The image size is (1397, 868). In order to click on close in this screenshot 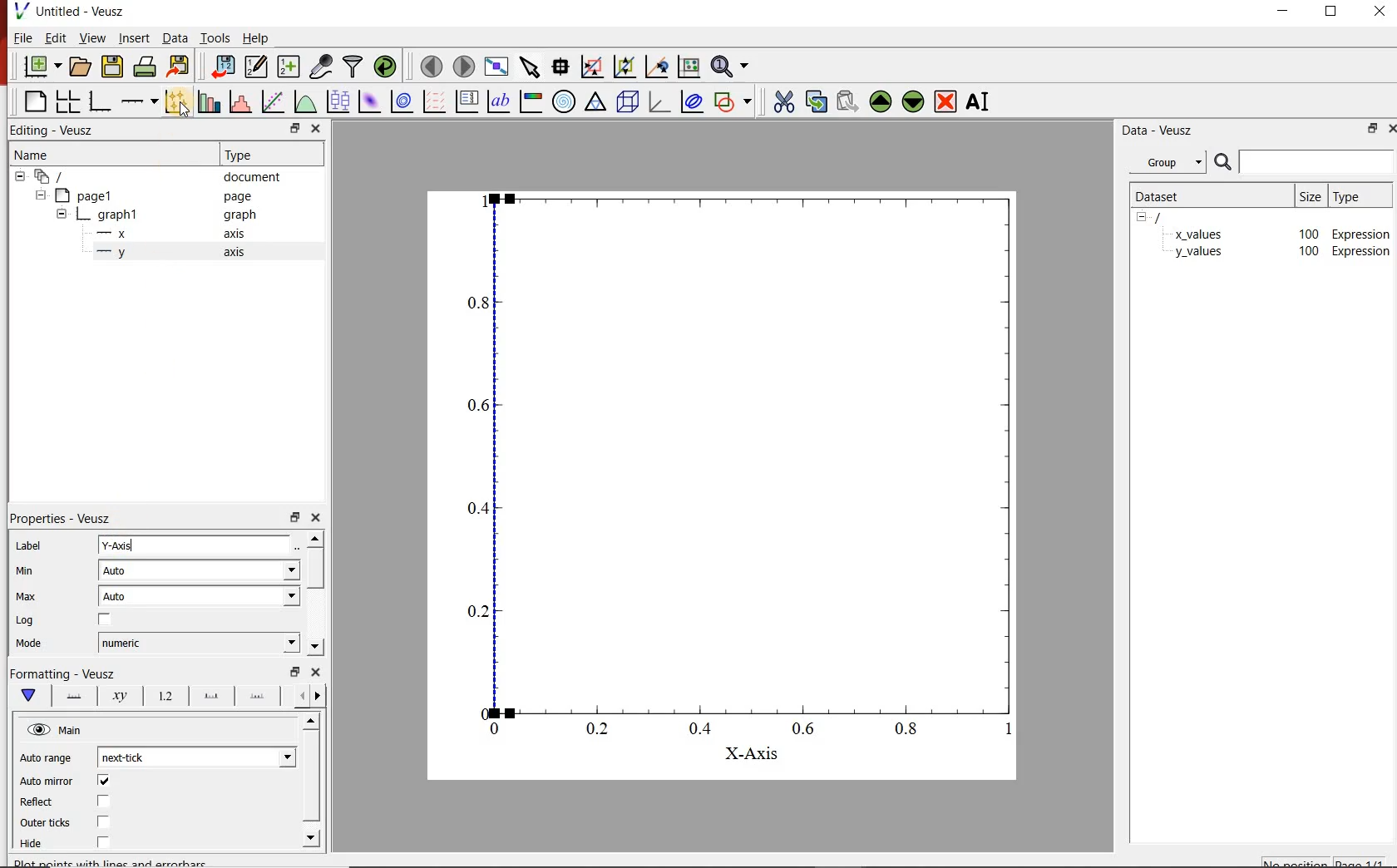, I will do `click(317, 671)`.